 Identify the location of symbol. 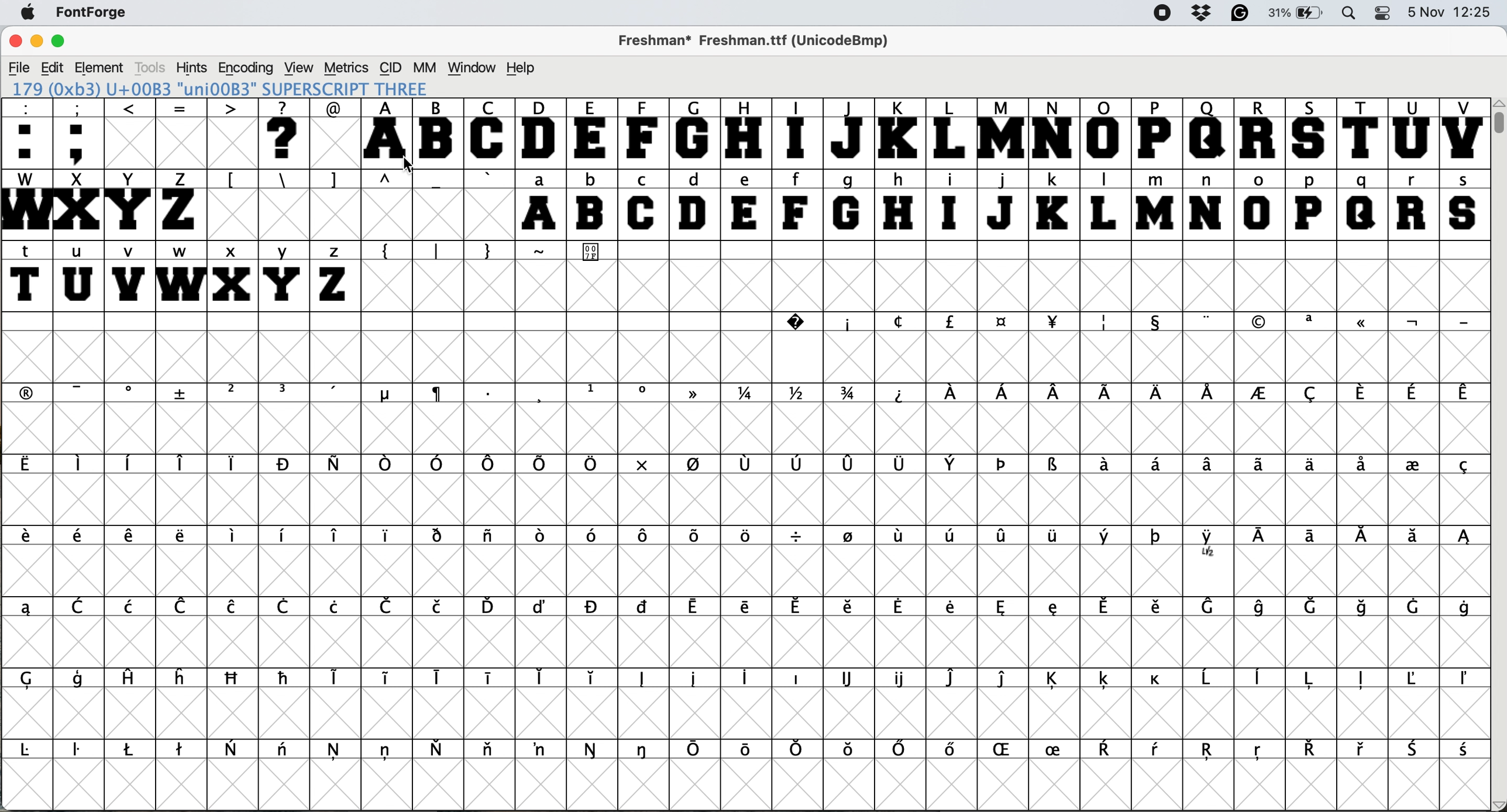
(539, 466).